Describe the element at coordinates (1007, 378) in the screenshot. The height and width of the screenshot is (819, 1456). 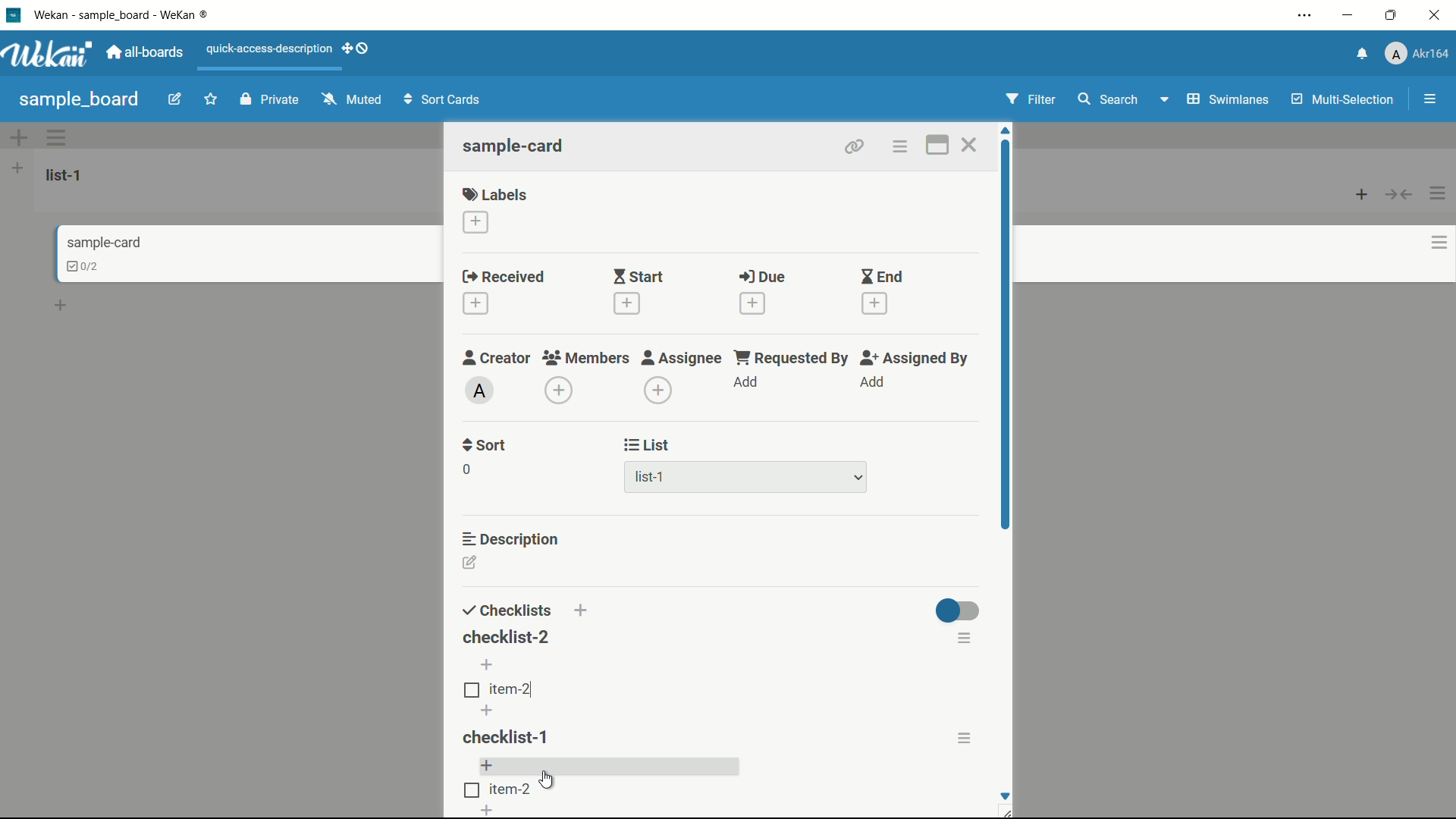
I see `scroll bar` at that location.